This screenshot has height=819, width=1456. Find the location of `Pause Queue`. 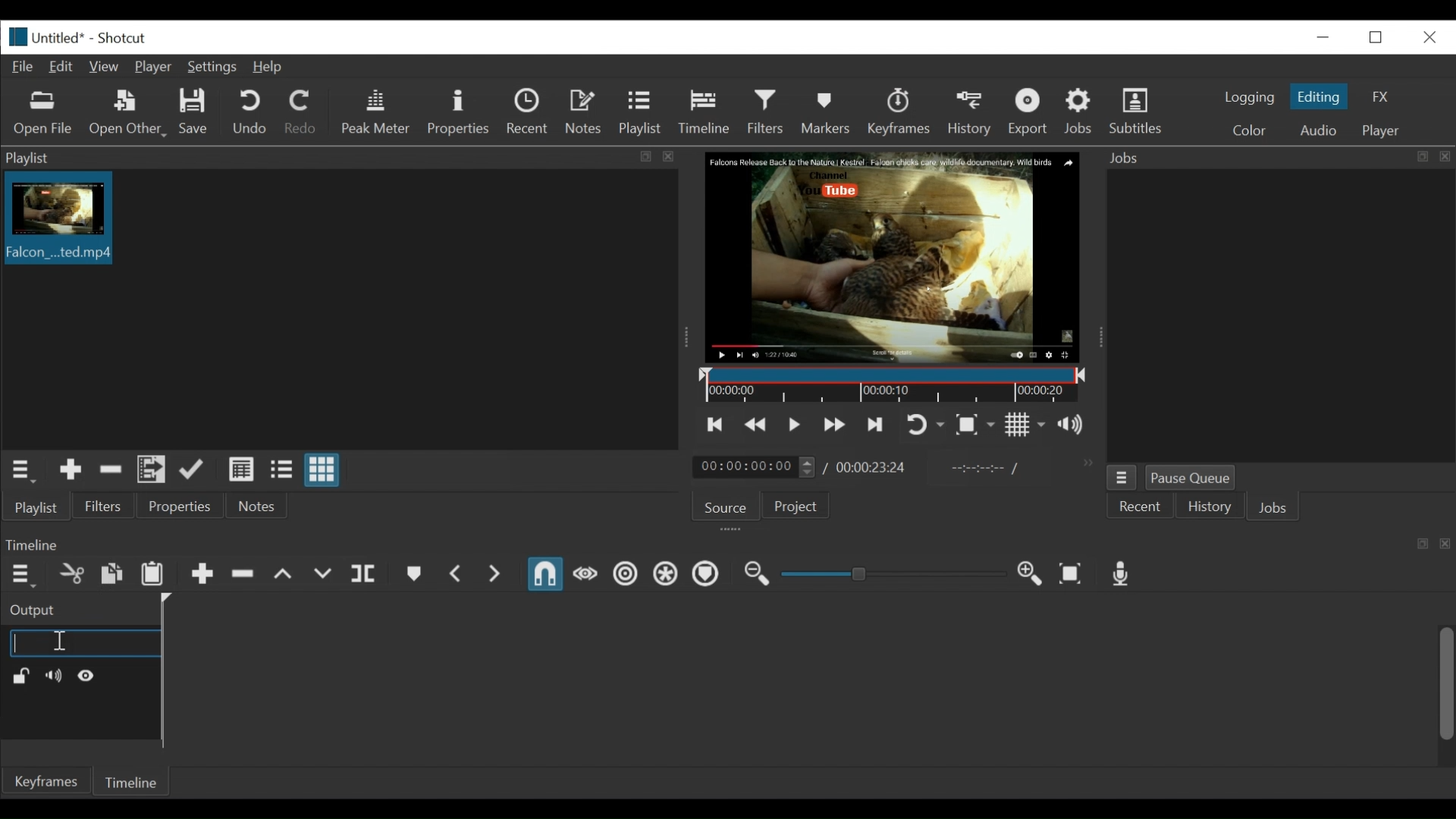

Pause Queue is located at coordinates (1195, 479).